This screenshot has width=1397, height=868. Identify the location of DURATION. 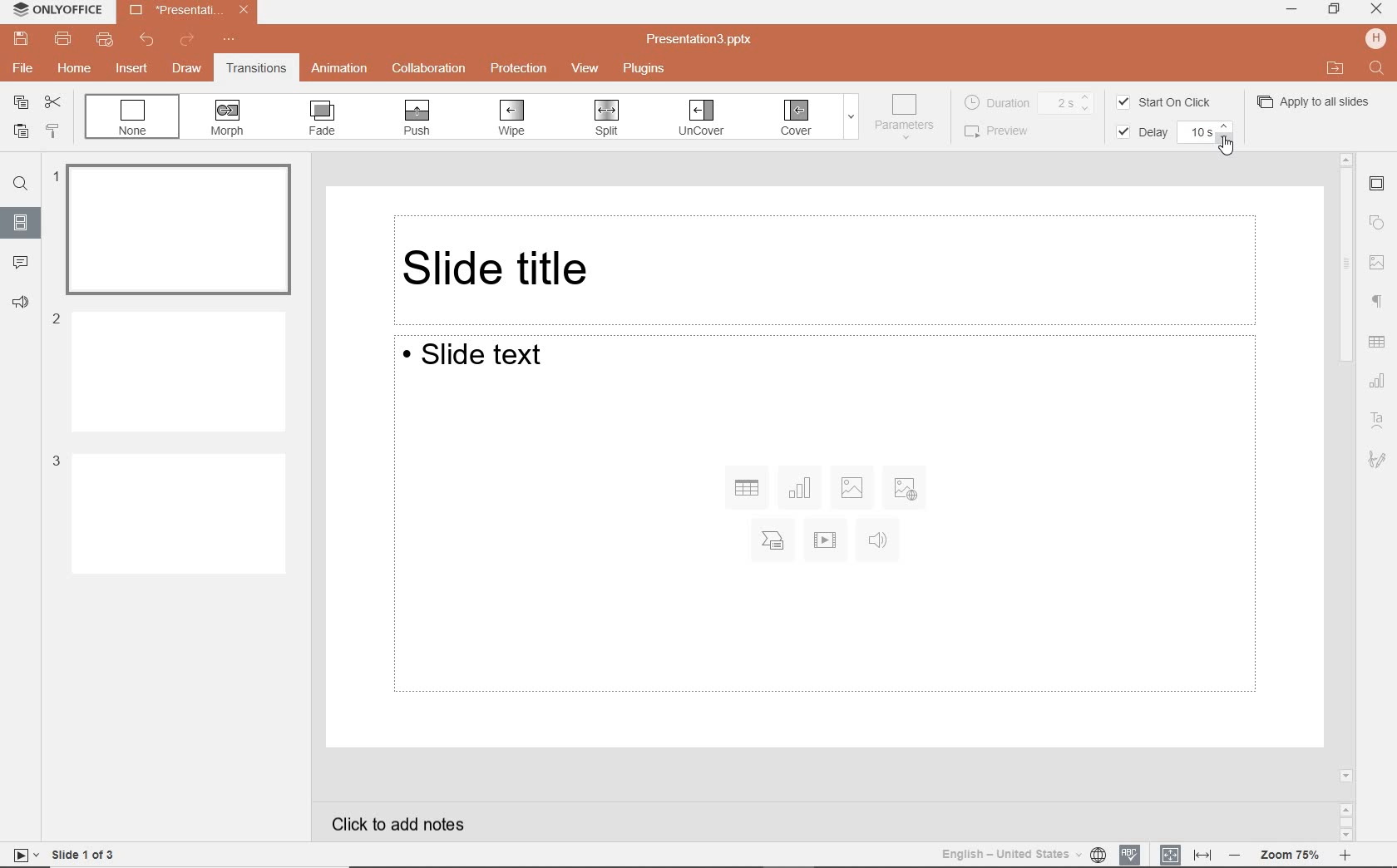
(1030, 101).